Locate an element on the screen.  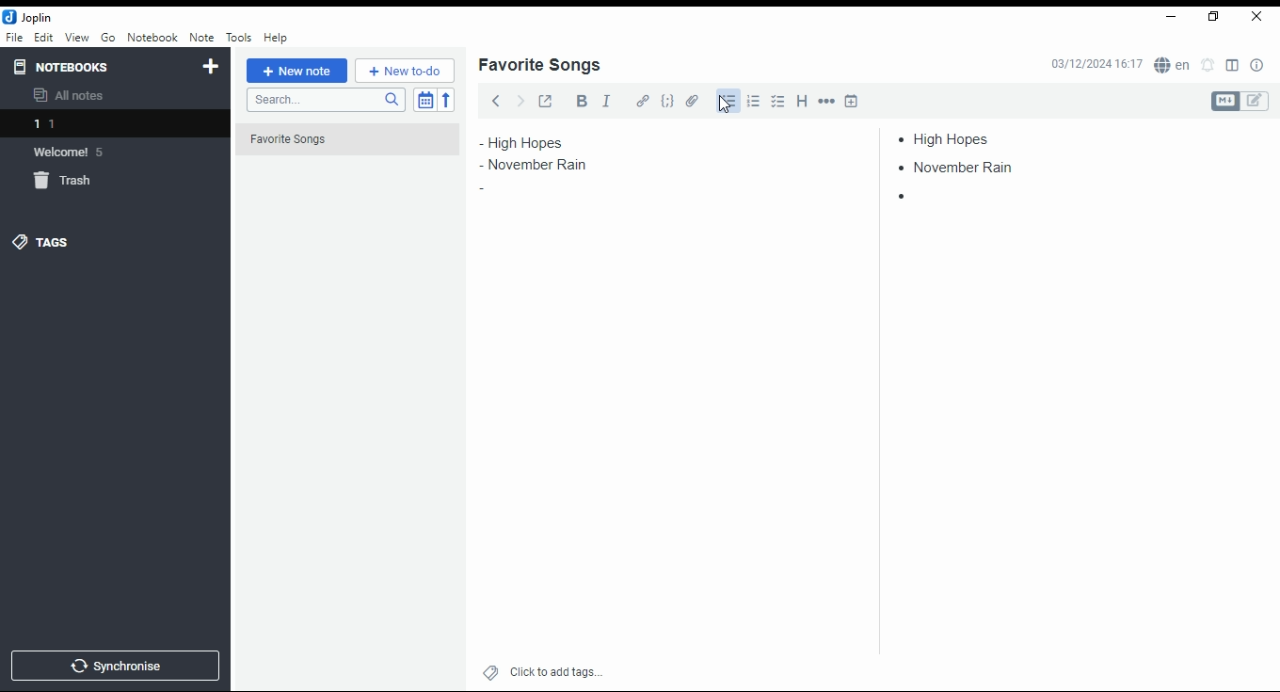
03/12/2024 16:16 is located at coordinates (1096, 64).